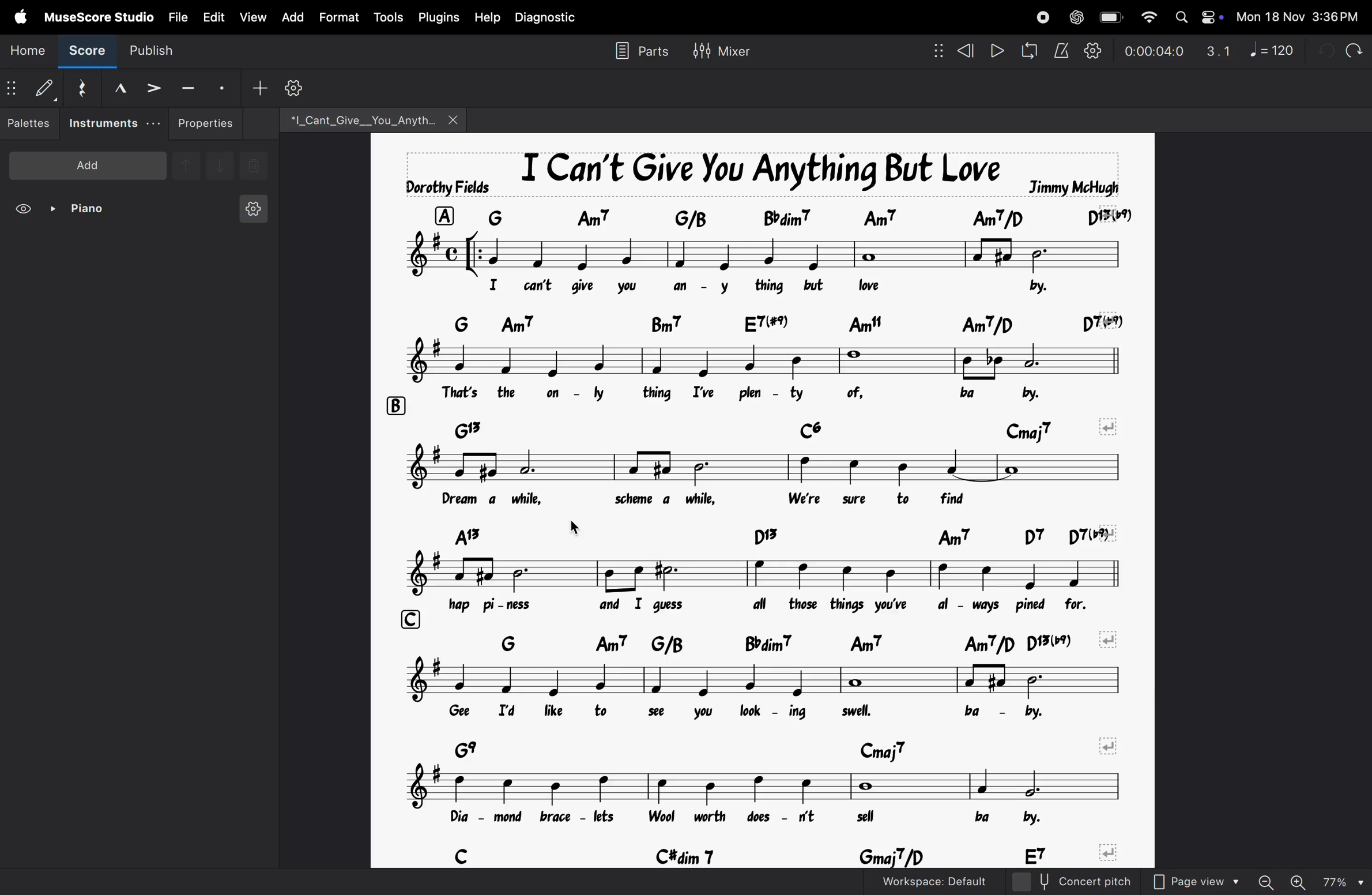 Image resolution: width=1372 pixels, height=895 pixels. What do you see at coordinates (756, 396) in the screenshot?
I see `lyrics` at bounding box center [756, 396].